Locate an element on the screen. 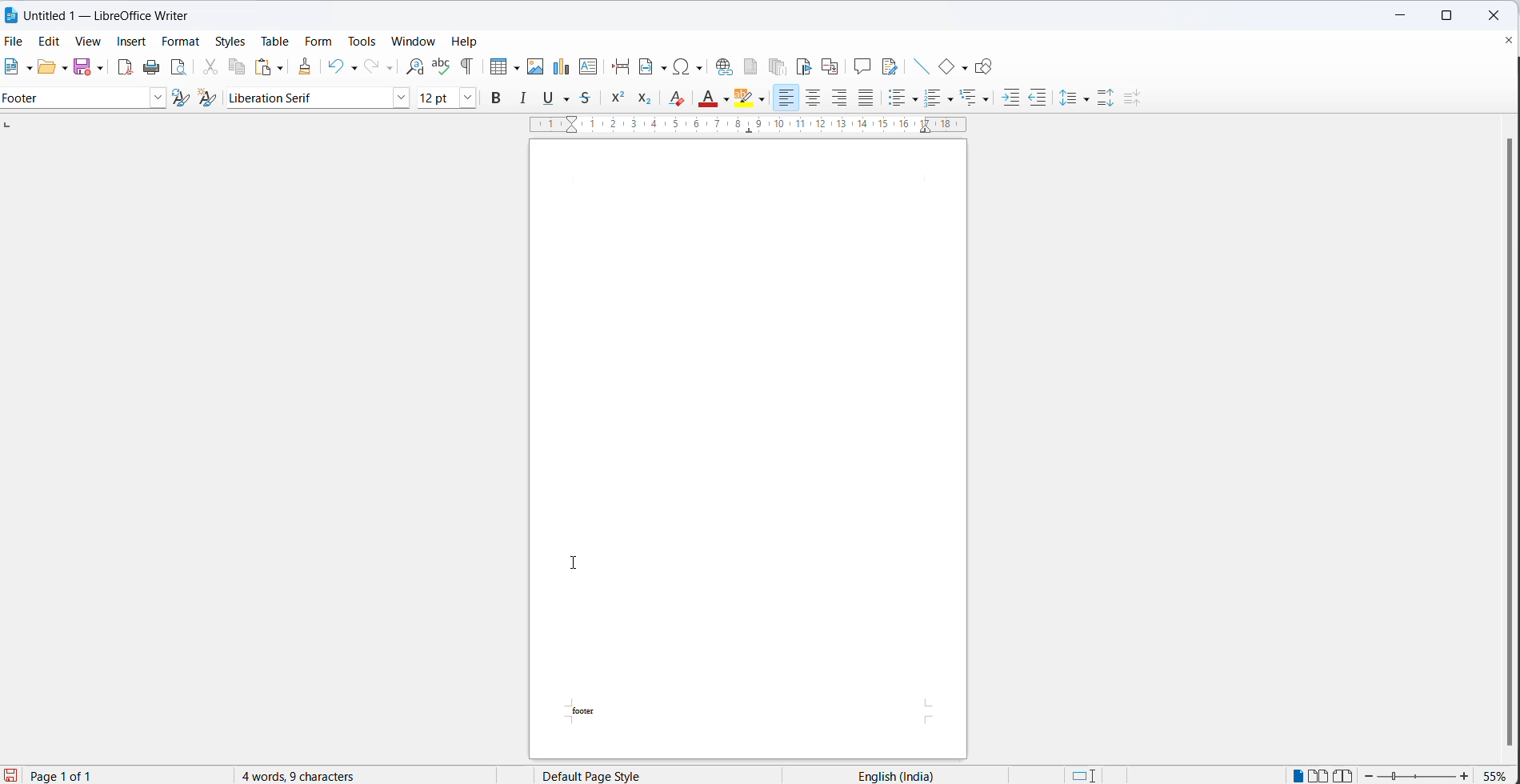 This screenshot has width=1520, height=784. decrease paragraph spacing is located at coordinates (1135, 97).